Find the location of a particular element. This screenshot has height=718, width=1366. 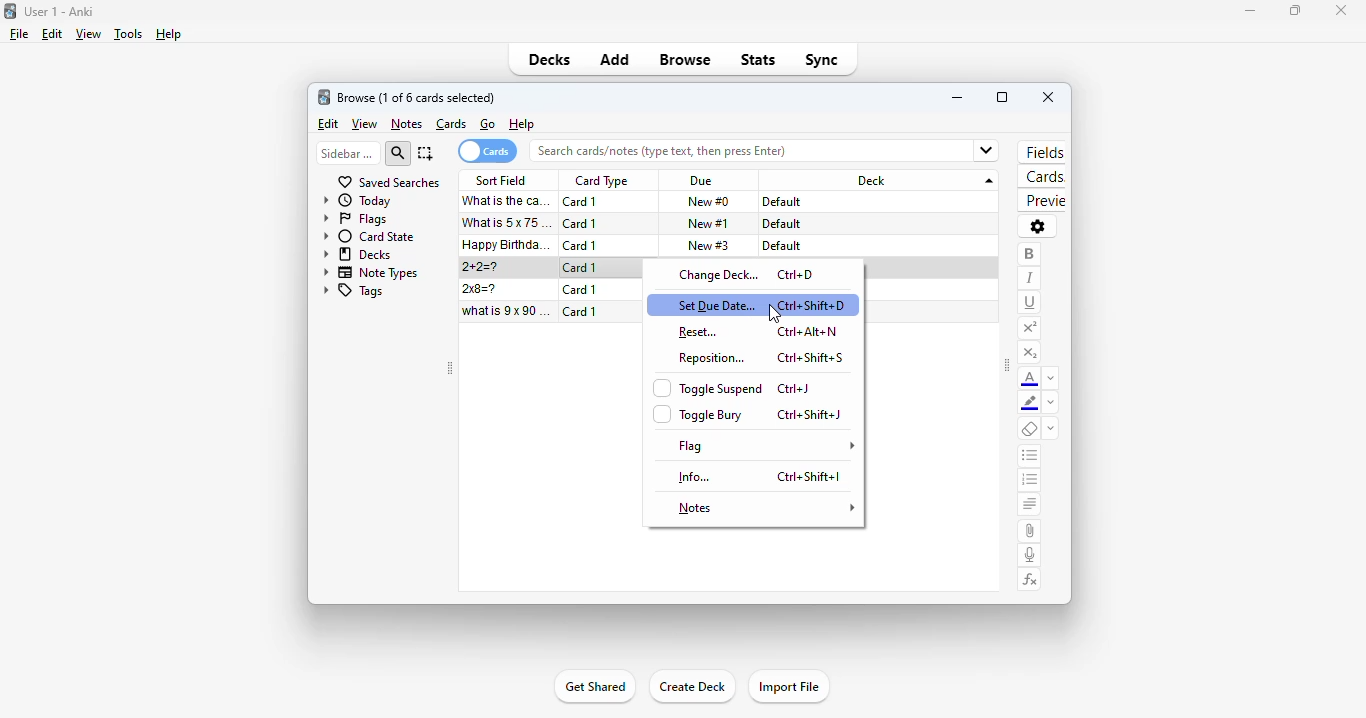

logo is located at coordinates (10, 10).